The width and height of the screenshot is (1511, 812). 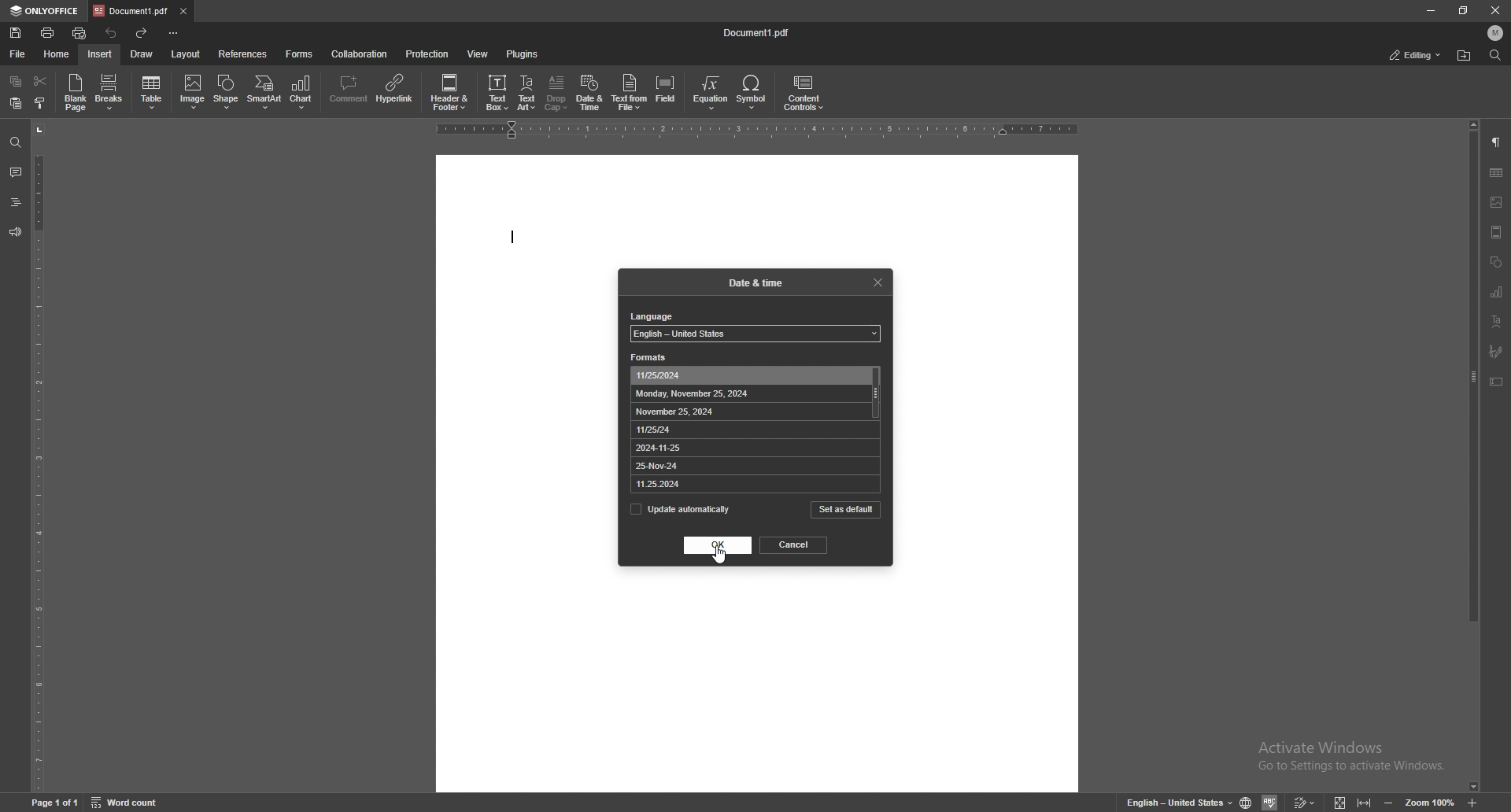 I want to click on scroll bar, so click(x=1472, y=456).